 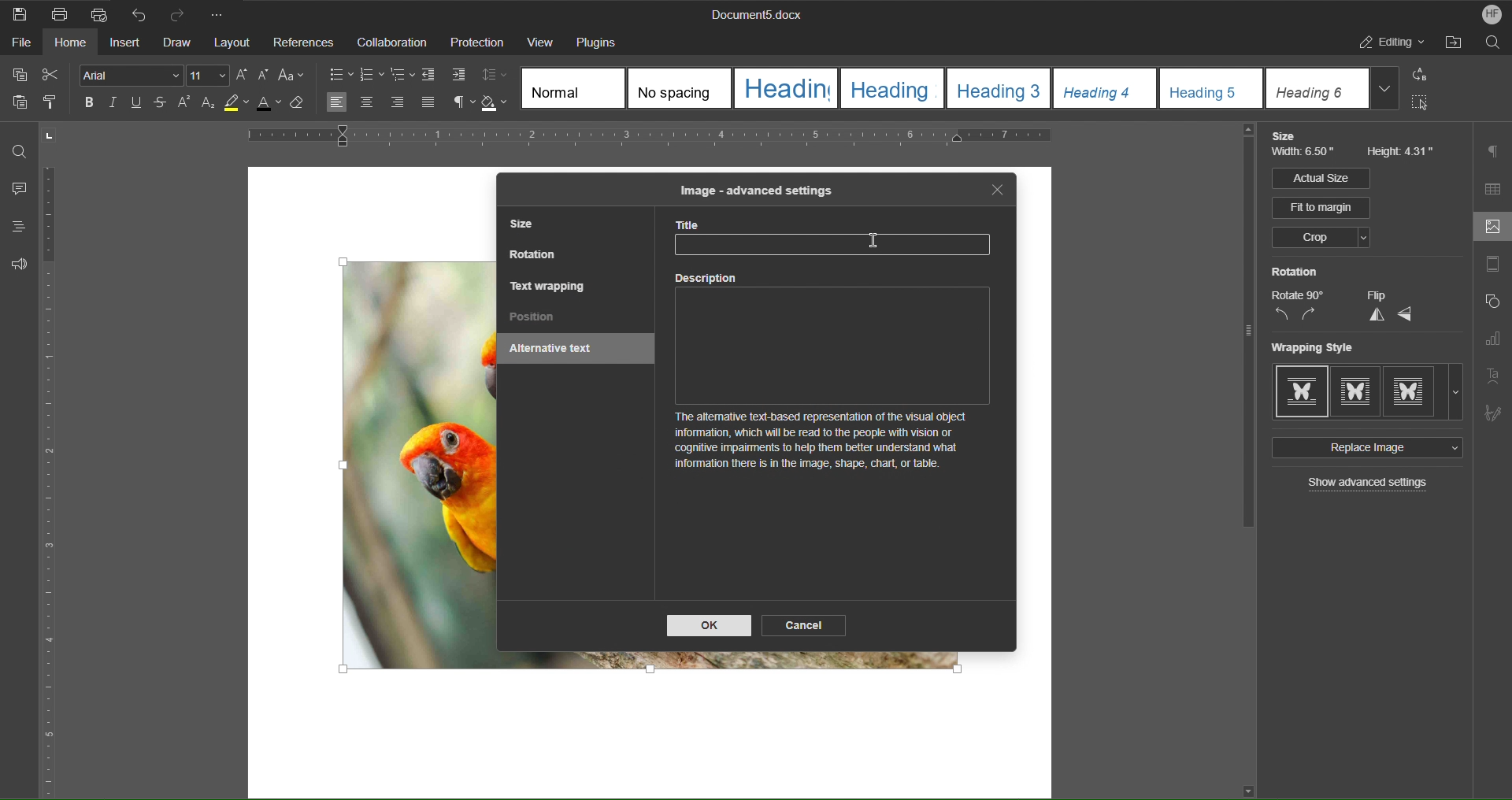 What do you see at coordinates (1244, 331) in the screenshot?
I see `scroll bar` at bounding box center [1244, 331].